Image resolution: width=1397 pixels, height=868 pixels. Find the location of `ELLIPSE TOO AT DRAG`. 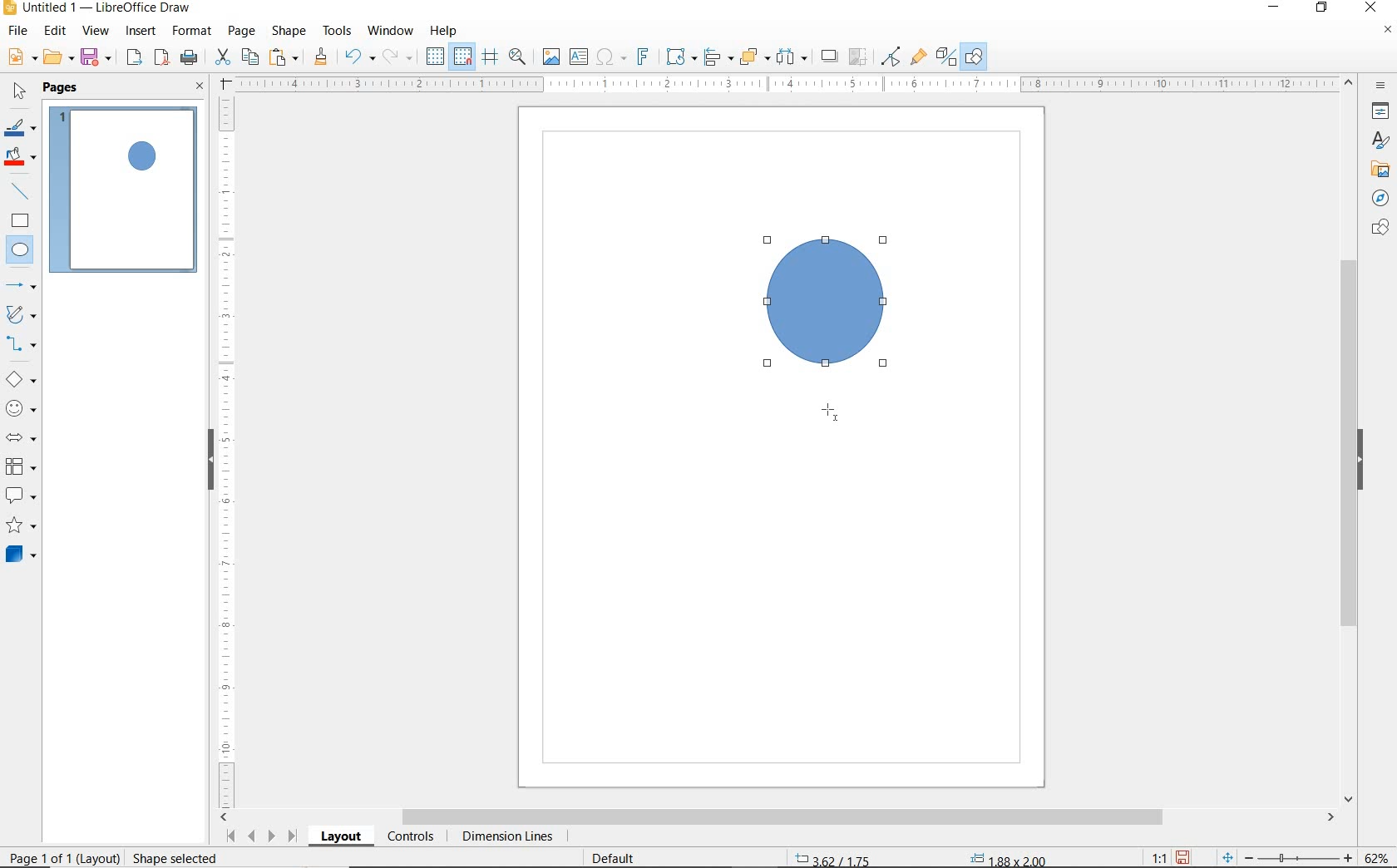

ELLIPSE TOO AT DRAG is located at coordinates (881, 242).